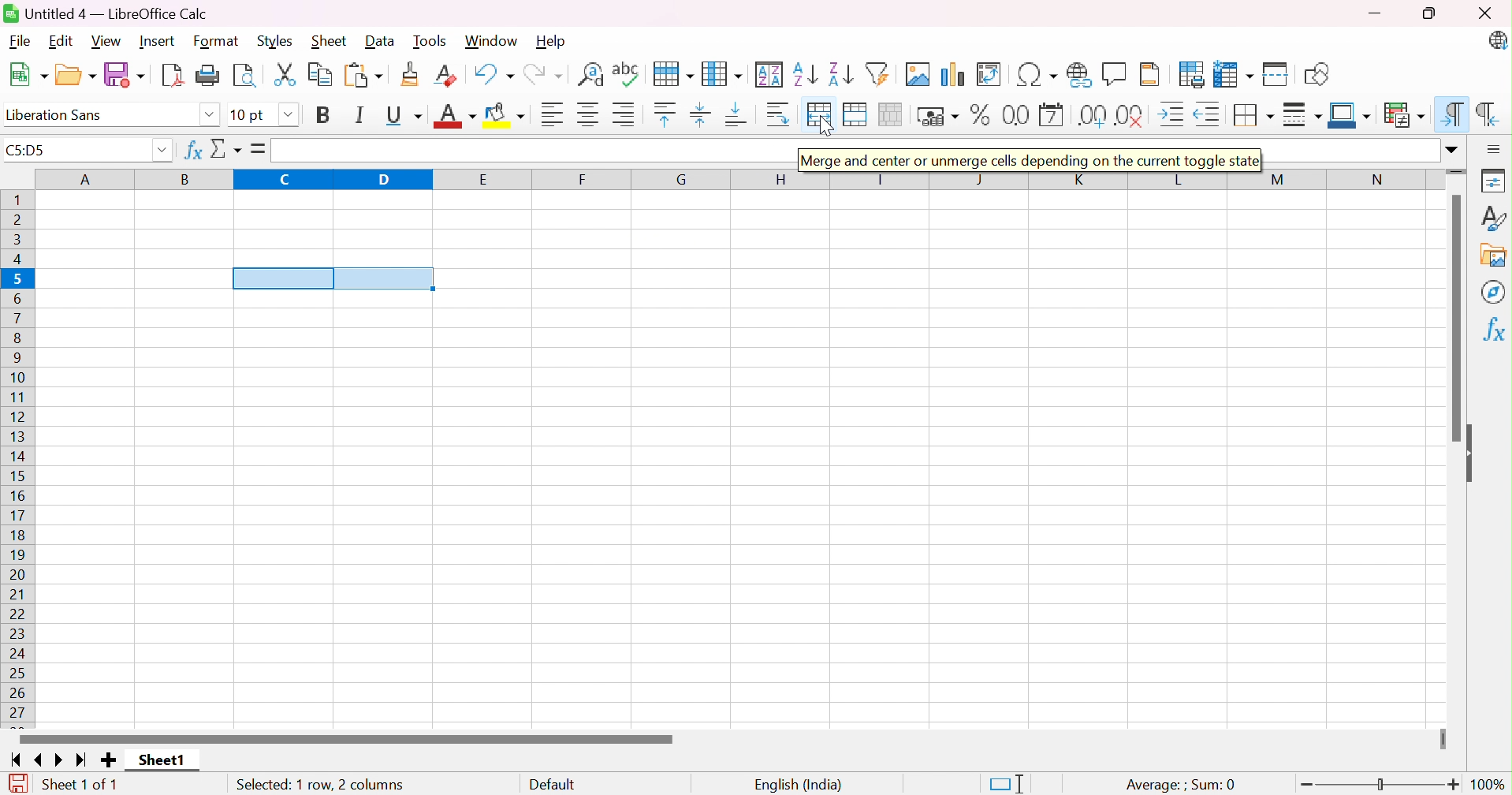 The width and height of the screenshot is (1512, 795). Describe the element at coordinates (821, 114) in the screenshot. I see `Merge and center or unmerge cells depending on the current toggle status.` at that location.